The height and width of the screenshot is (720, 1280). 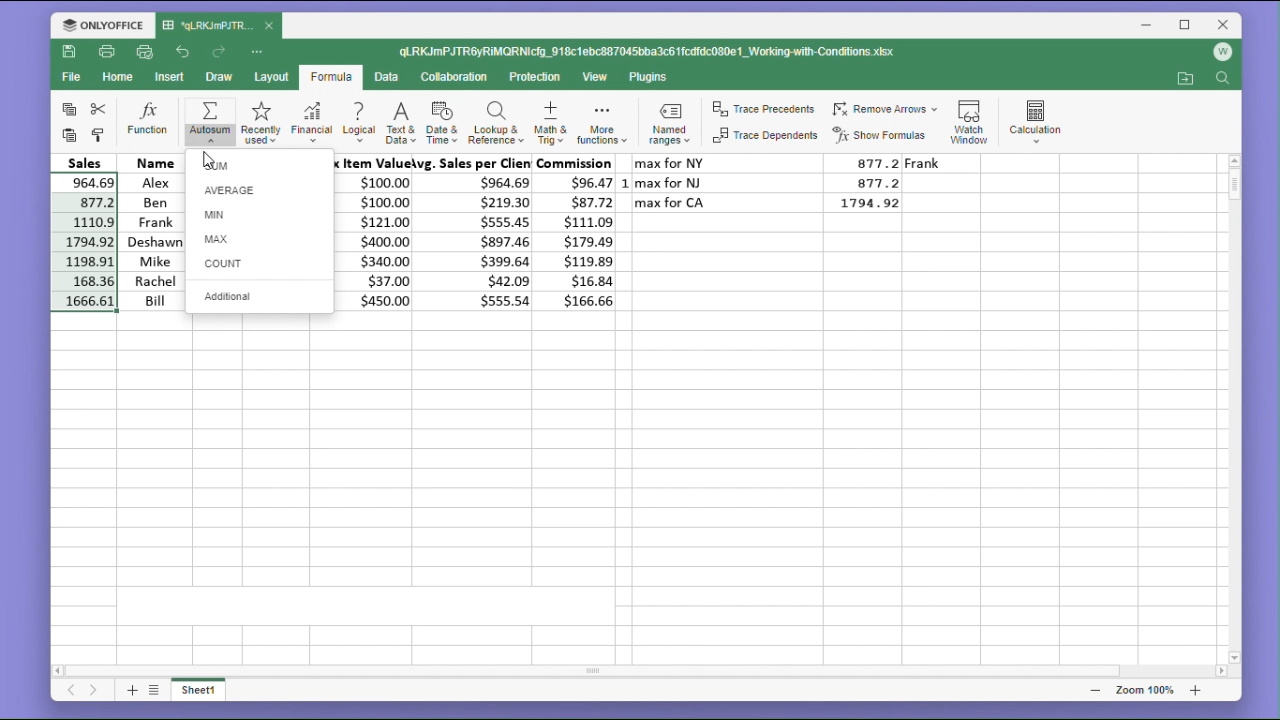 I want to click on home, so click(x=120, y=82).